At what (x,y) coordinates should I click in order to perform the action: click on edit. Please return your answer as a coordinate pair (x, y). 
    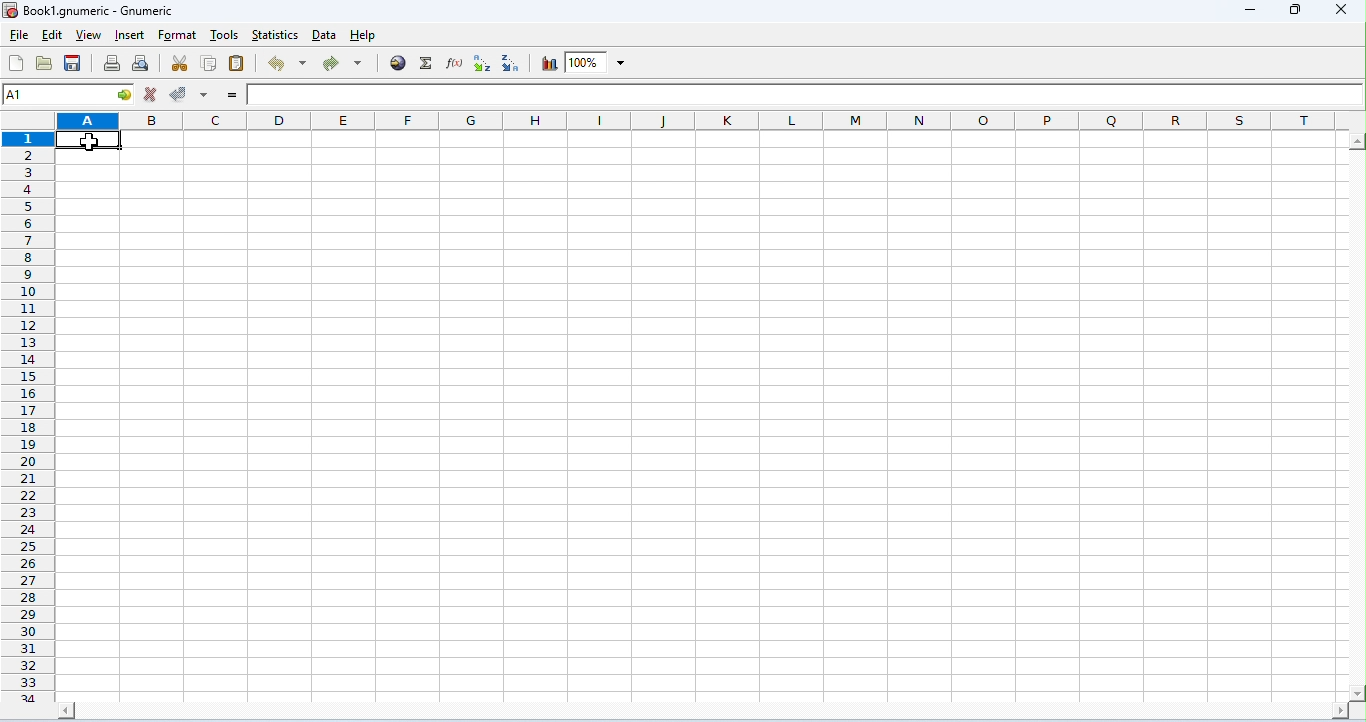
    Looking at the image, I should click on (52, 36).